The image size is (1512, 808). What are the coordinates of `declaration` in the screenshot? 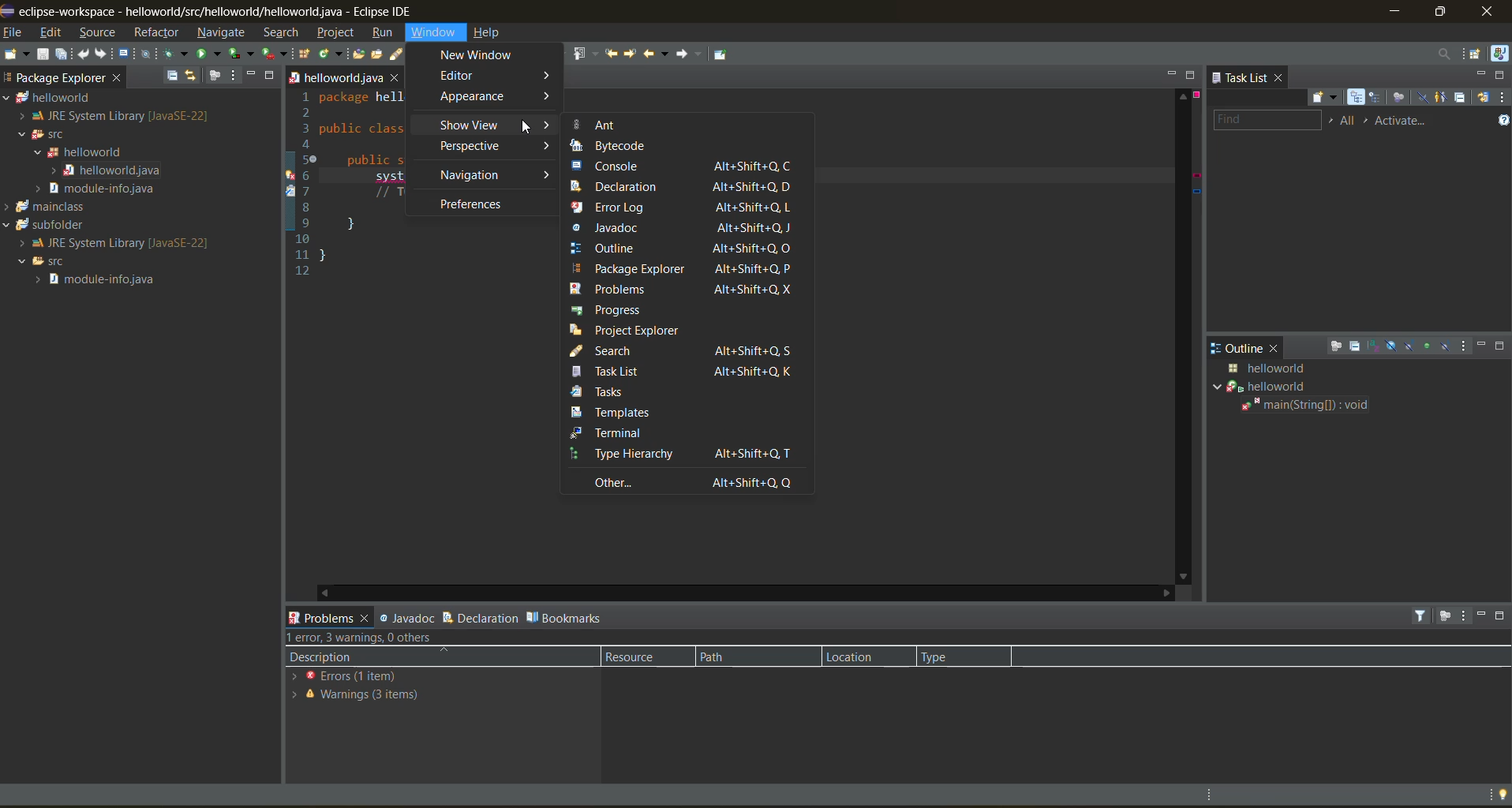 It's located at (485, 616).